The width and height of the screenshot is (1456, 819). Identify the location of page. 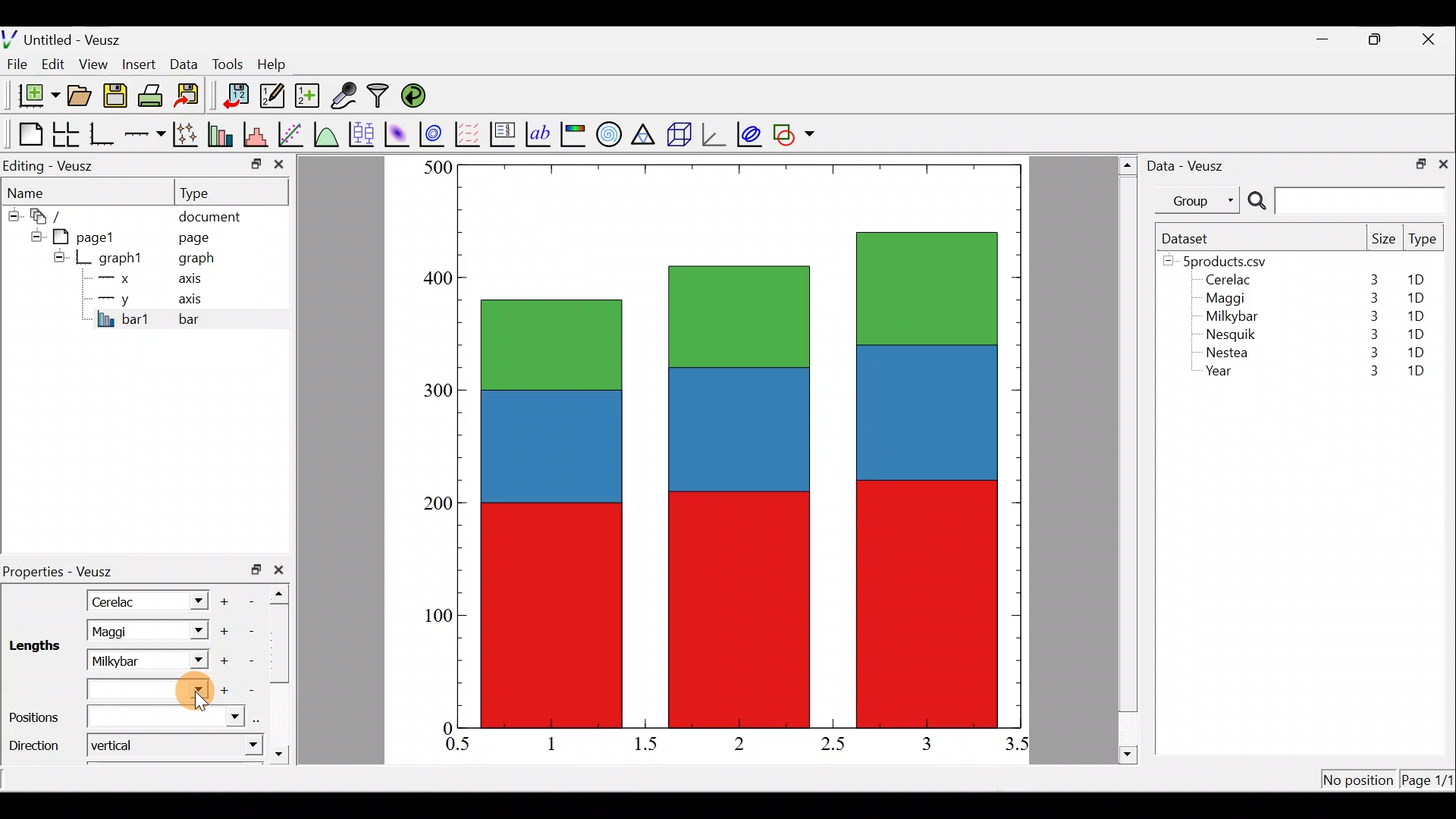
(193, 237).